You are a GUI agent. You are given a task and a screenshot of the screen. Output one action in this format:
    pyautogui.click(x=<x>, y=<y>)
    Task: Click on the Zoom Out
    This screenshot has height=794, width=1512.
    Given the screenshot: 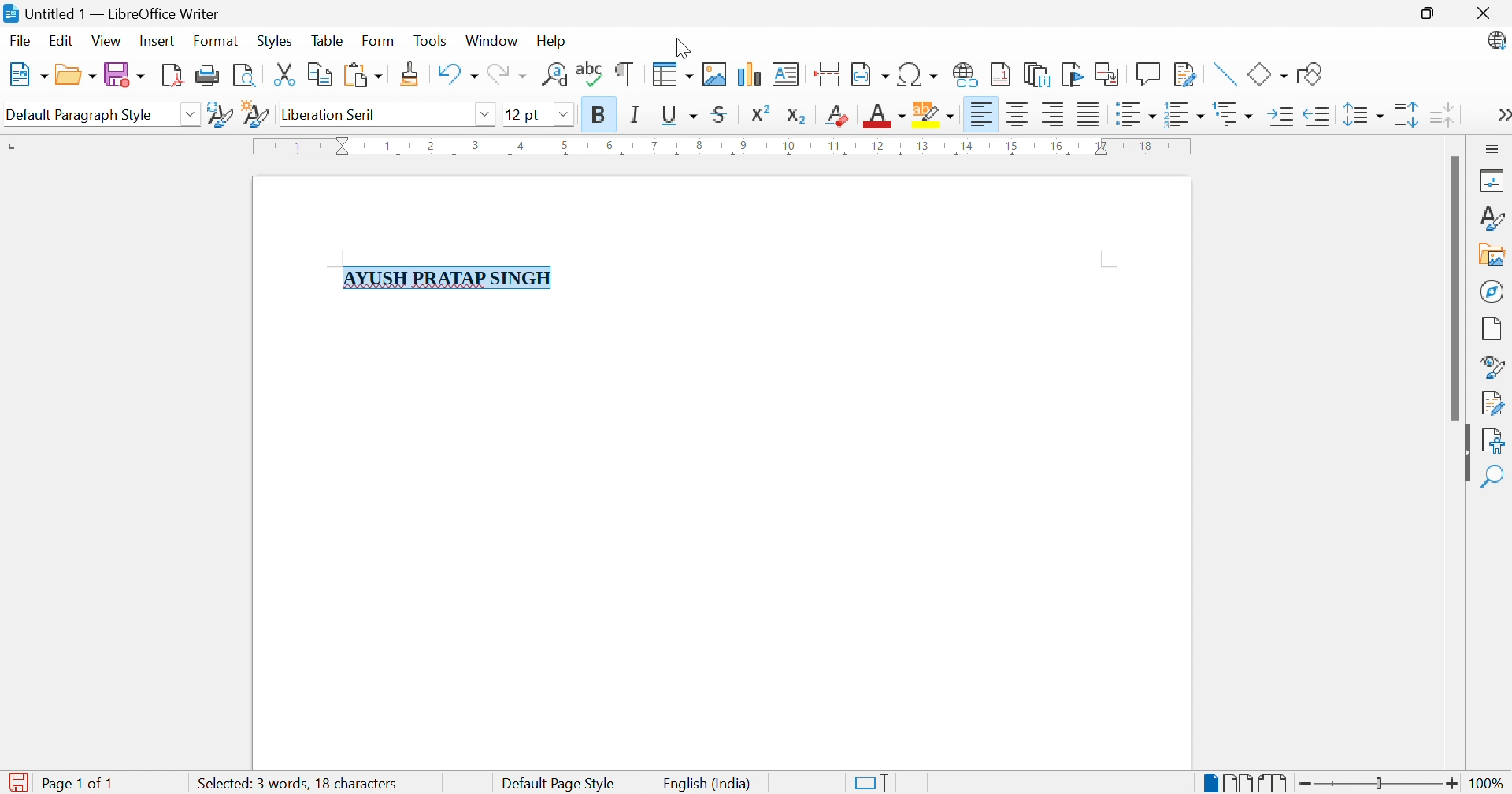 What is the action you would take?
    pyautogui.click(x=1306, y=782)
    